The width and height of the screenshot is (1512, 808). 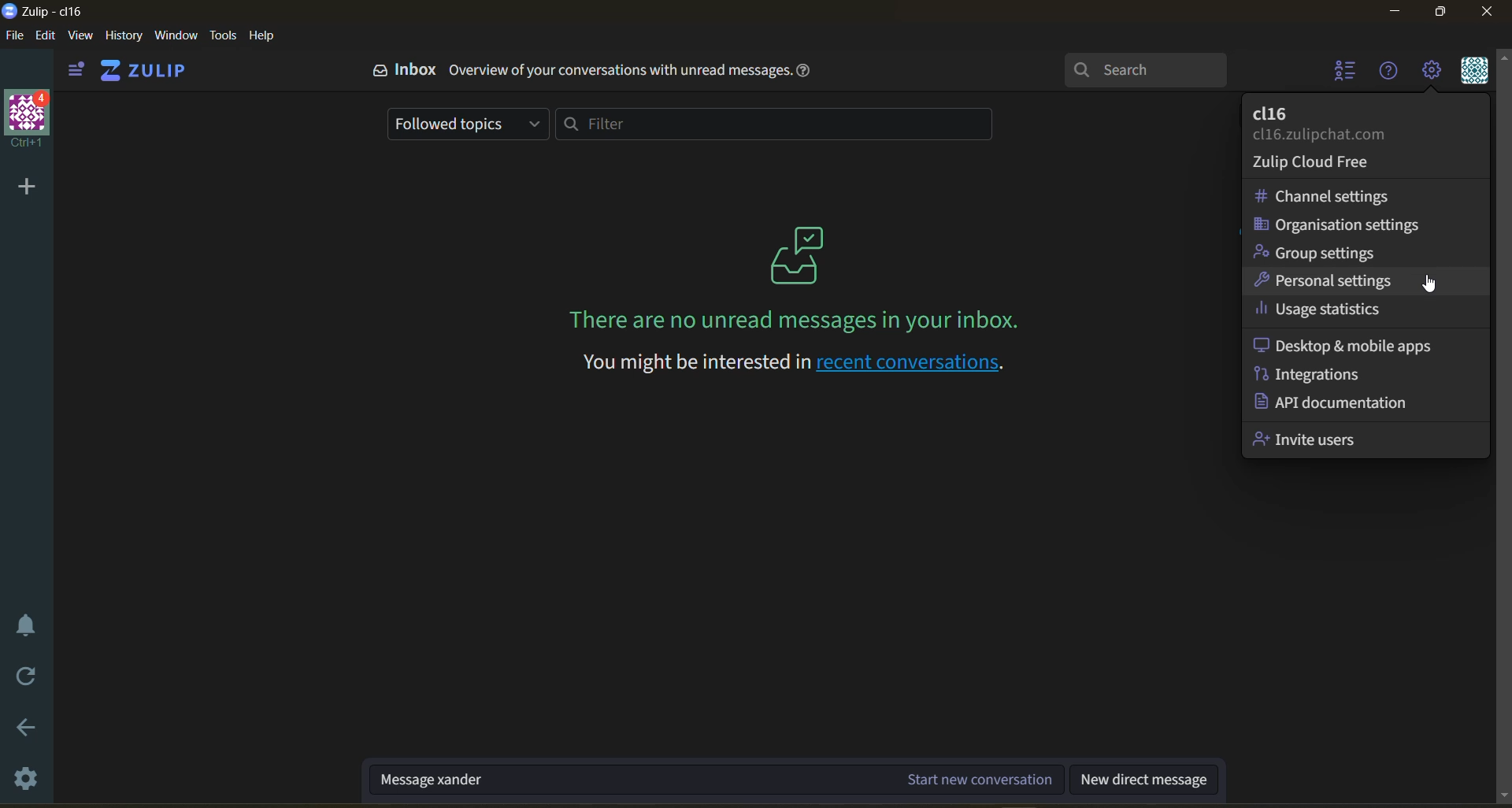 I want to click on api documentation, so click(x=1352, y=403).